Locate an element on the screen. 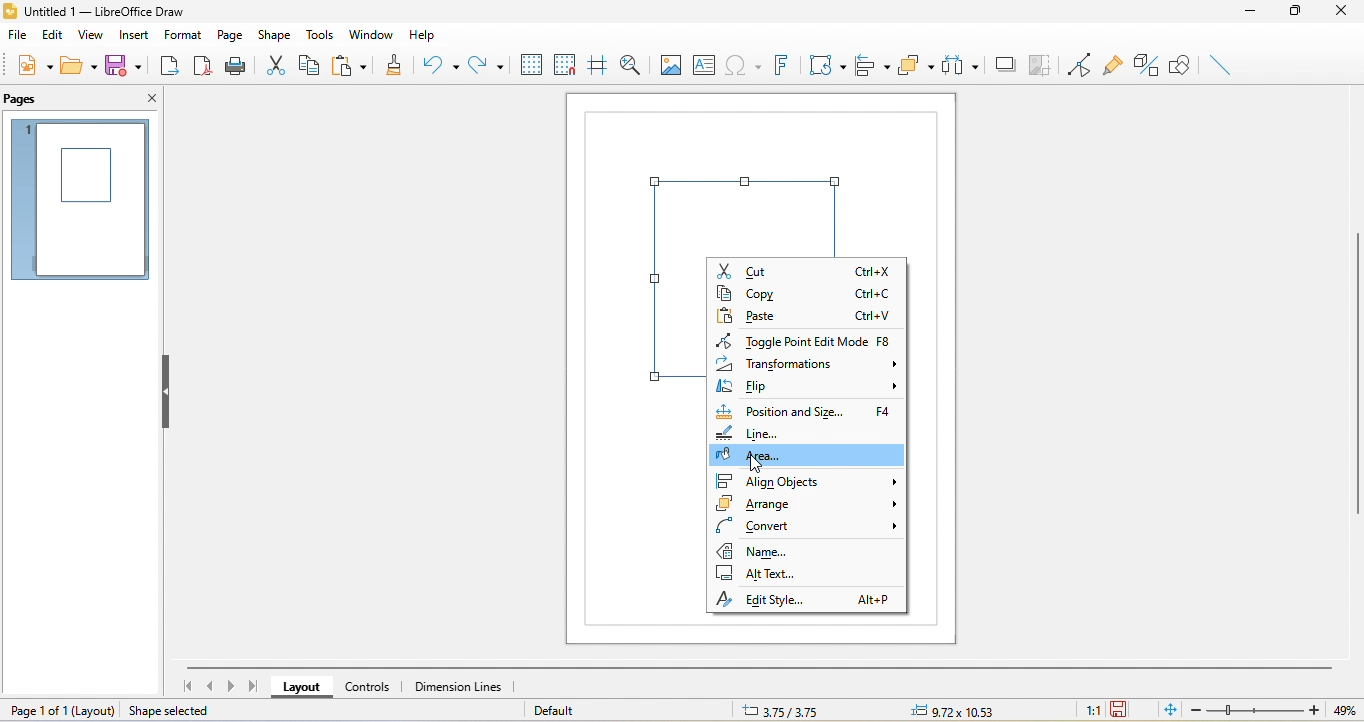  insert line is located at coordinates (1216, 63).